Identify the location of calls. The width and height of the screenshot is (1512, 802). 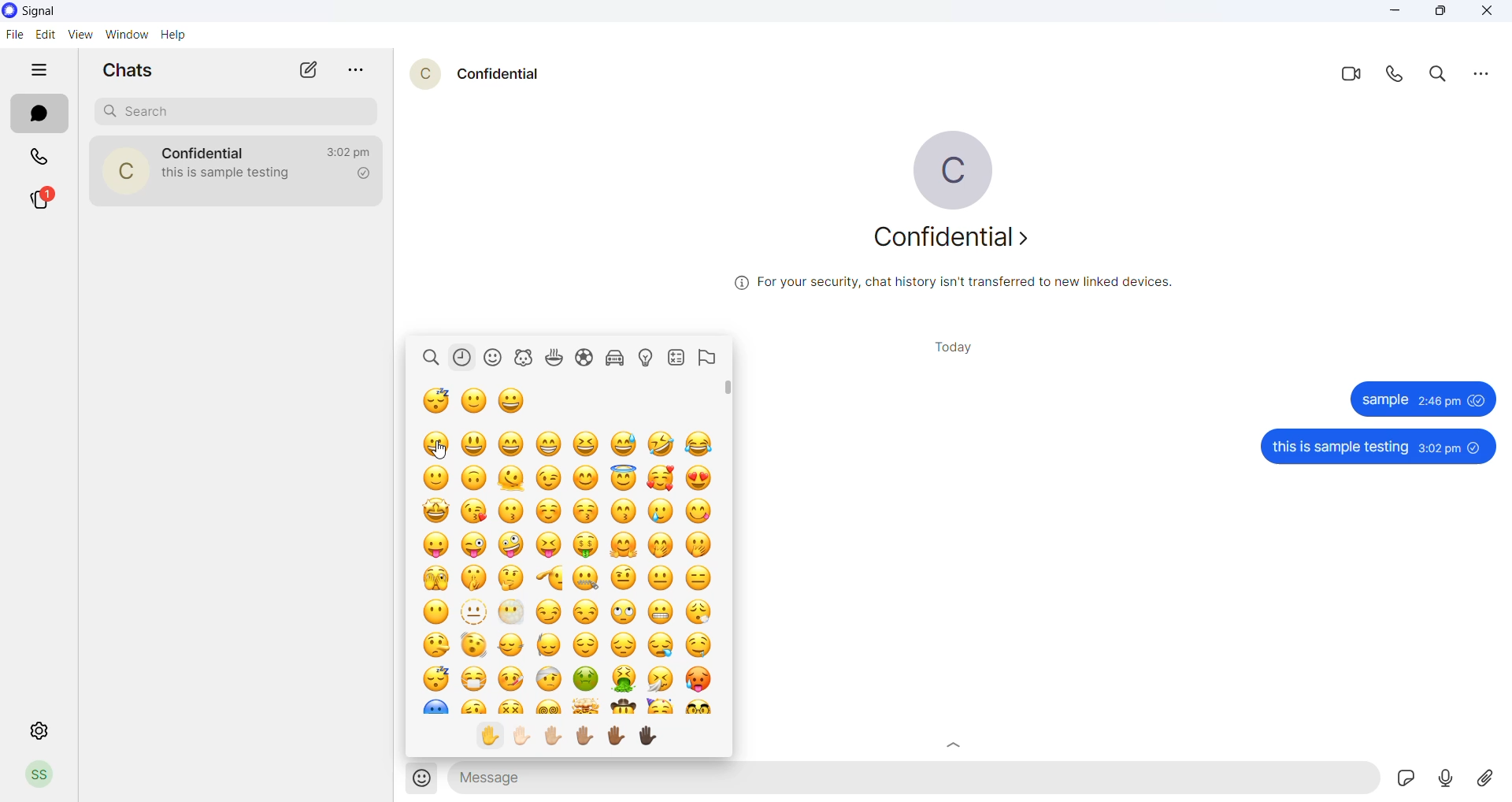
(37, 158).